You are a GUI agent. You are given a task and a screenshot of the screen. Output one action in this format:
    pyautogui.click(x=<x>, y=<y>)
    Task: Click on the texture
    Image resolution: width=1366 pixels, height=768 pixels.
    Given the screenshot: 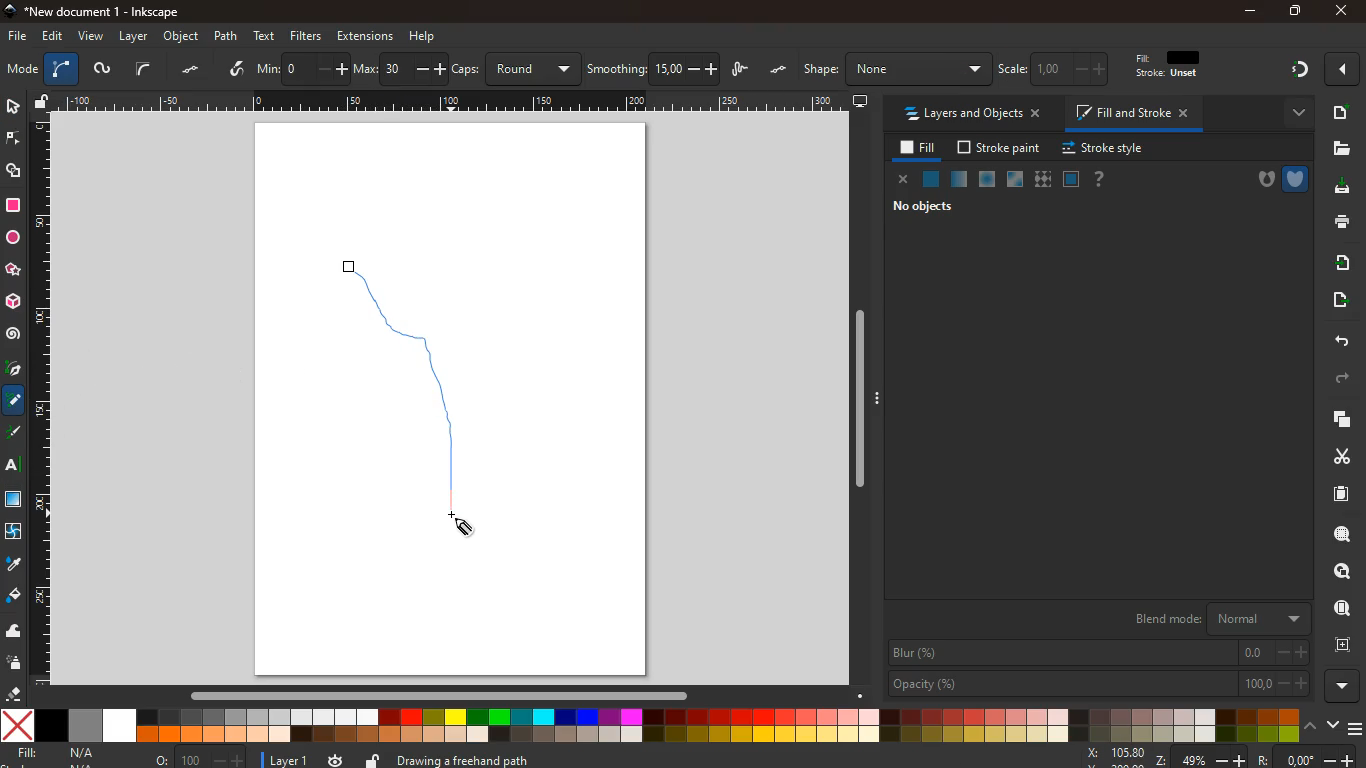 What is the action you would take?
    pyautogui.click(x=14, y=499)
    